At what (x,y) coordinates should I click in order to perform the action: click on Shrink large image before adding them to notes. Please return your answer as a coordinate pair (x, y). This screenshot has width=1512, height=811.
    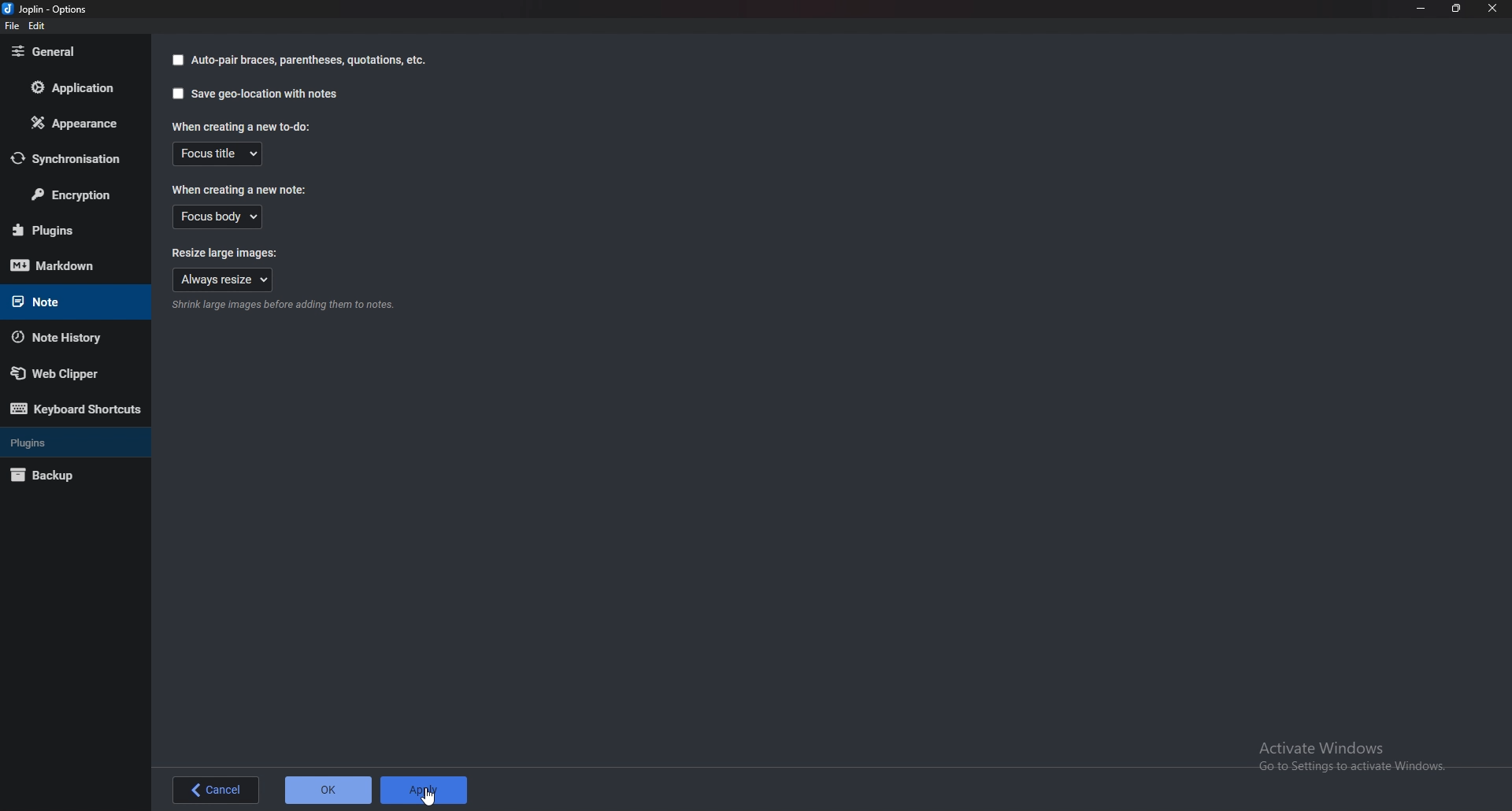
    Looking at the image, I should click on (283, 306).